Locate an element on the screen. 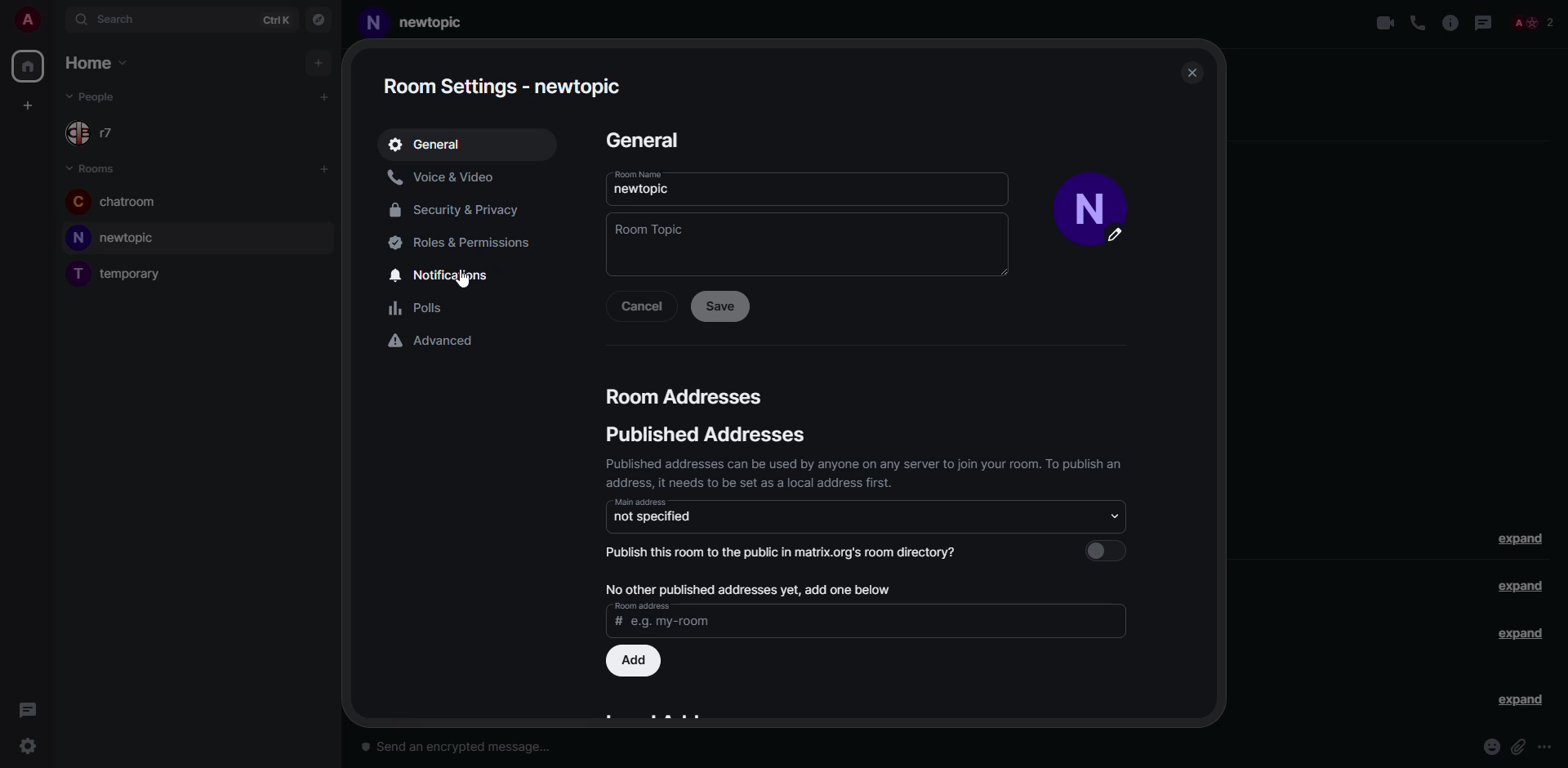  people is located at coordinates (1532, 23).